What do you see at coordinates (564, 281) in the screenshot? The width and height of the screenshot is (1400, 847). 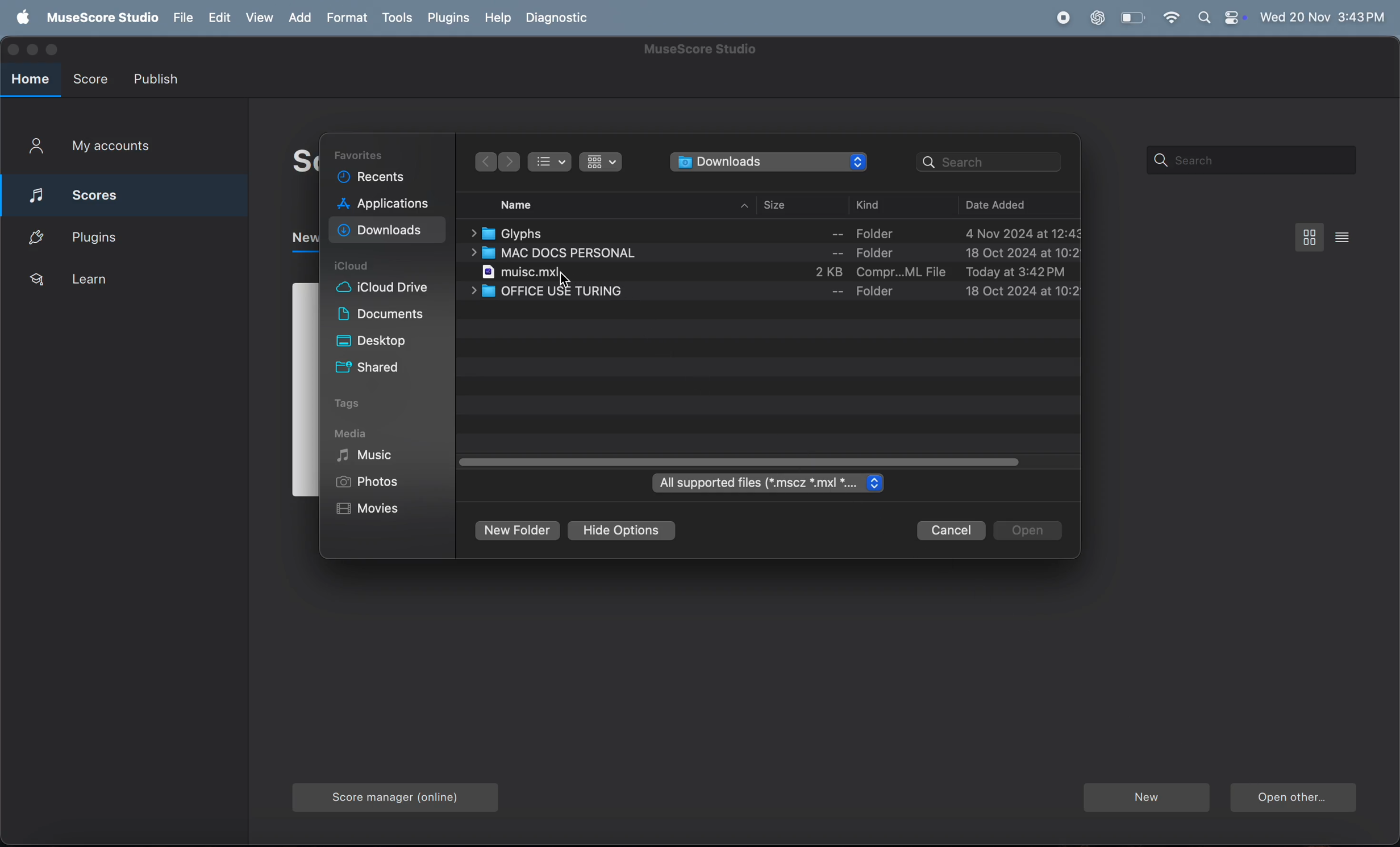 I see `cursor` at bounding box center [564, 281].